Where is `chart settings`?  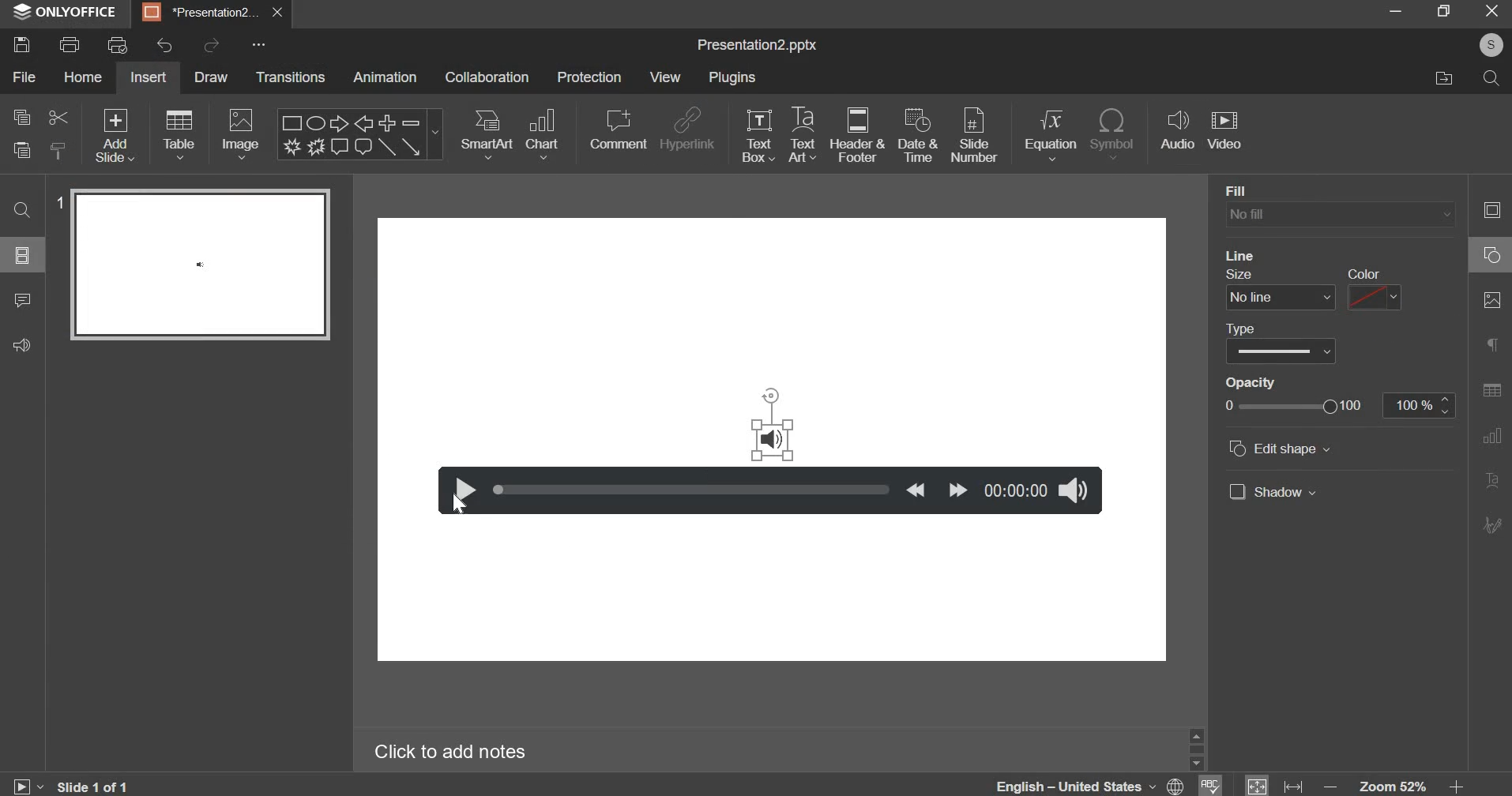 chart settings is located at coordinates (1491, 436).